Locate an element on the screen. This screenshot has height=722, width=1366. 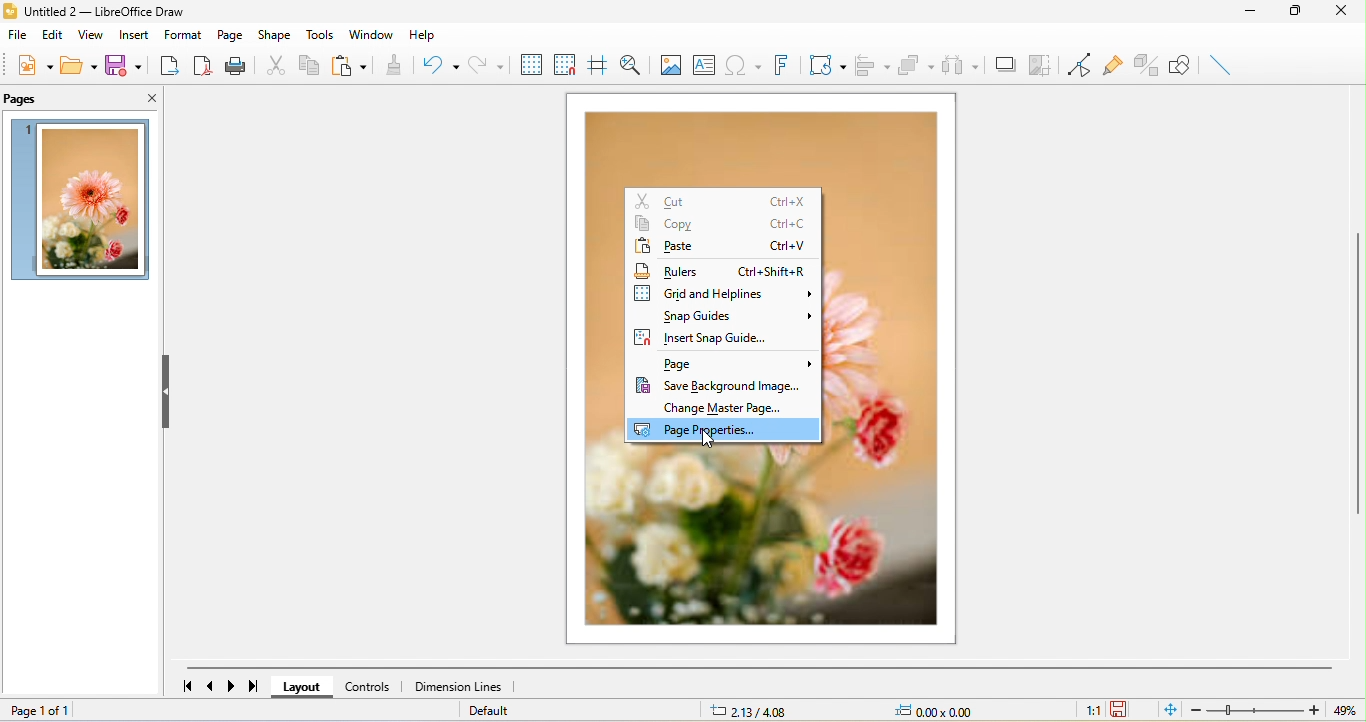
export directly as pdf is located at coordinates (199, 64).